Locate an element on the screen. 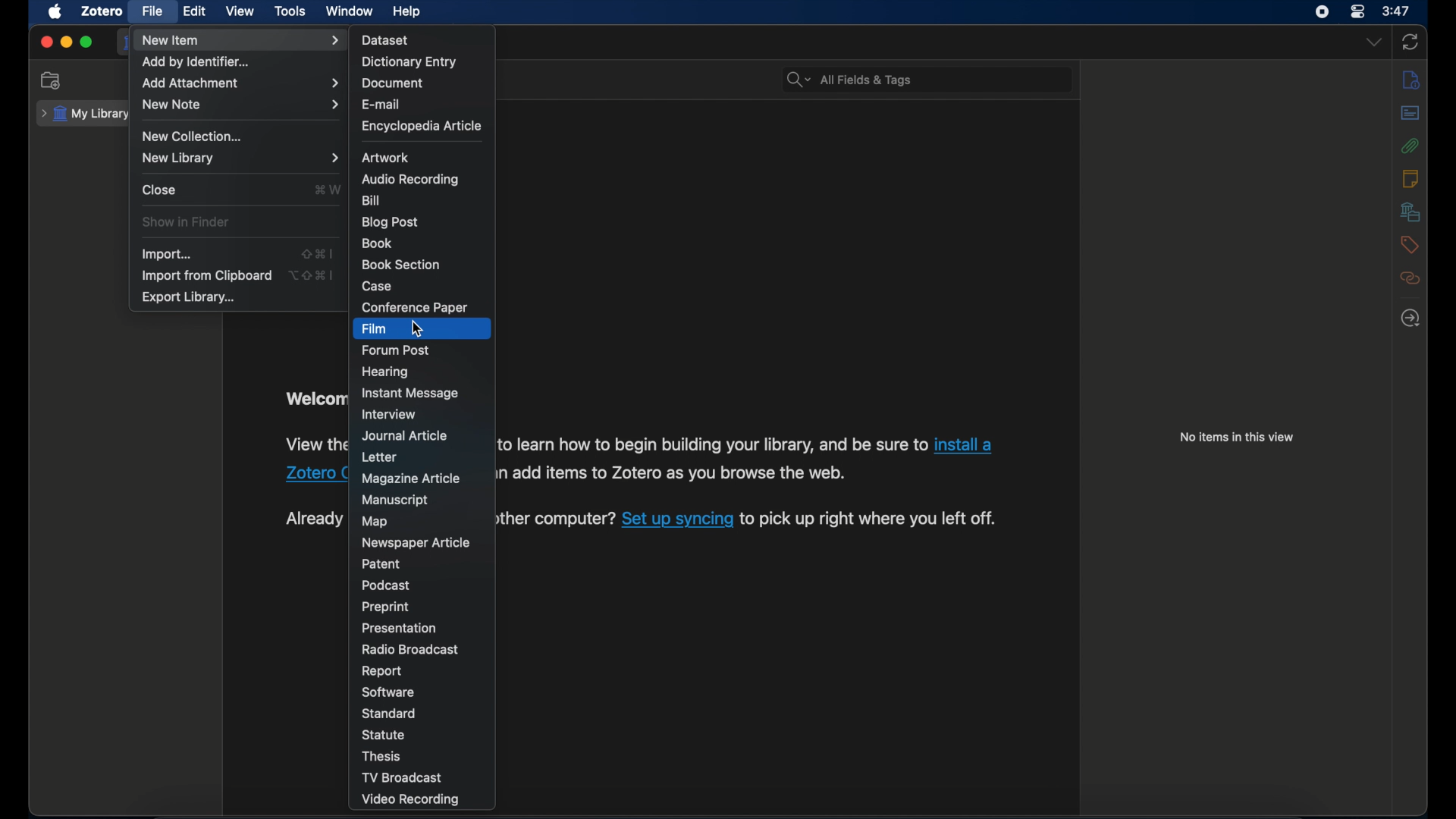 The width and height of the screenshot is (1456, 819). letter is located at coordinates (381, 458).